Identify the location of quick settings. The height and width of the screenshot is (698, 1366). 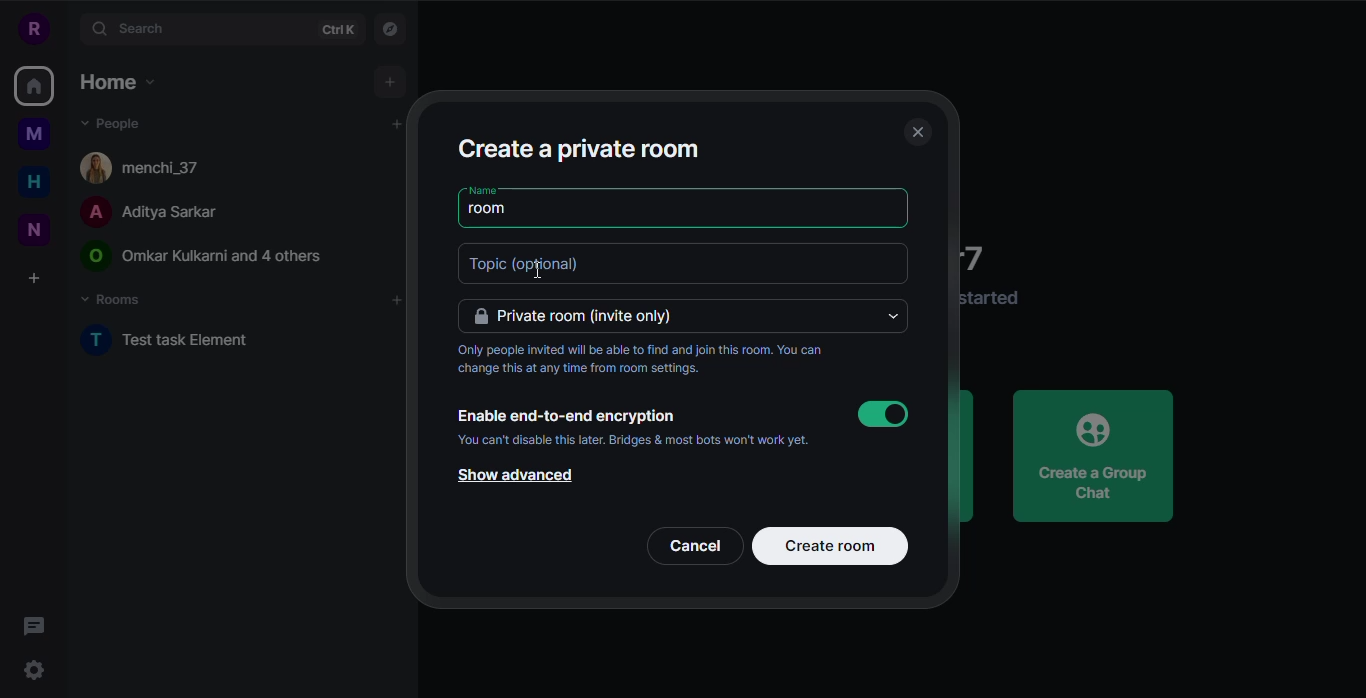
(35, 673).